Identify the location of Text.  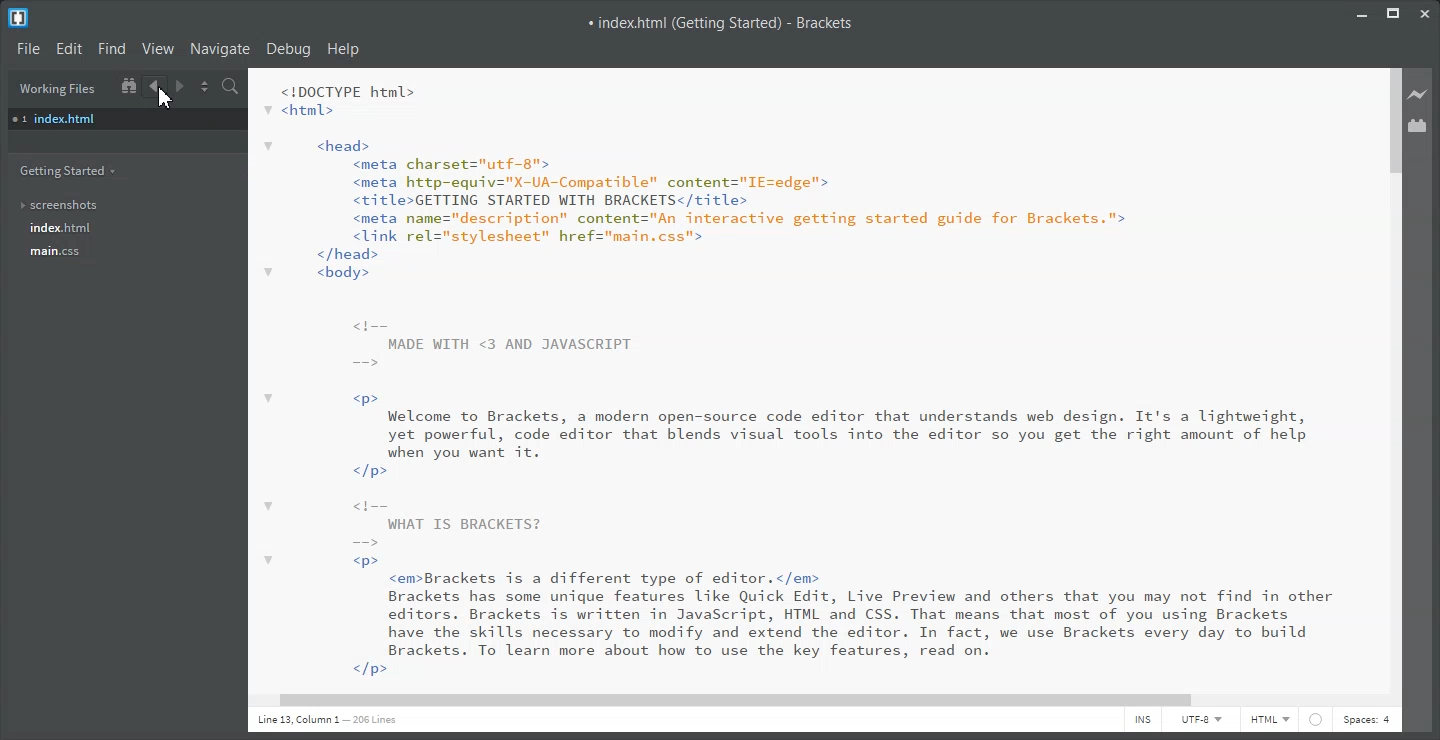
(811, 378).